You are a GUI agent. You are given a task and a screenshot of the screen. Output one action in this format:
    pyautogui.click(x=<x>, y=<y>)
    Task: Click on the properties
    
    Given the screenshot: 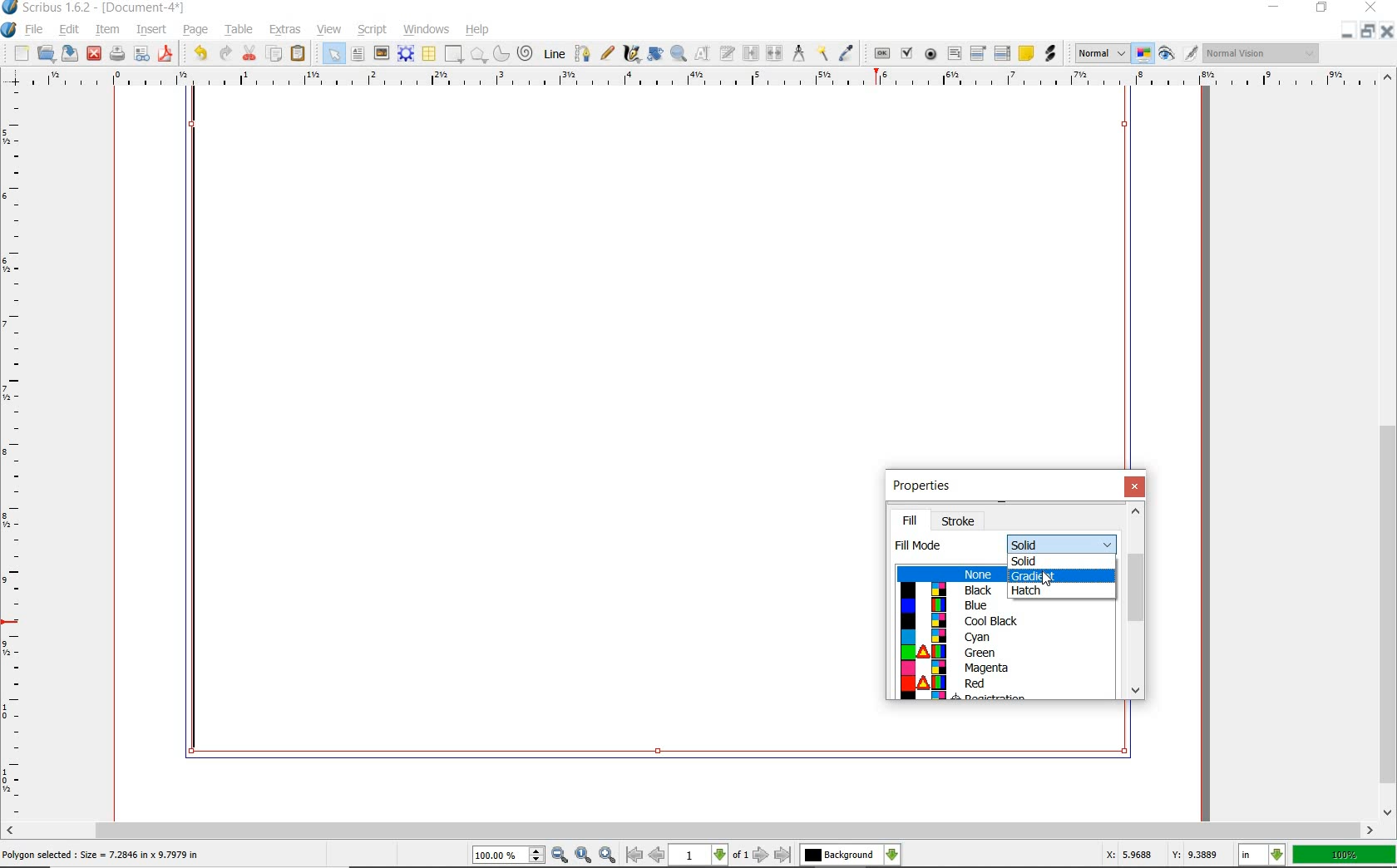 What is the action you would take?
    pyautogui.click(x=923, y=488)
    